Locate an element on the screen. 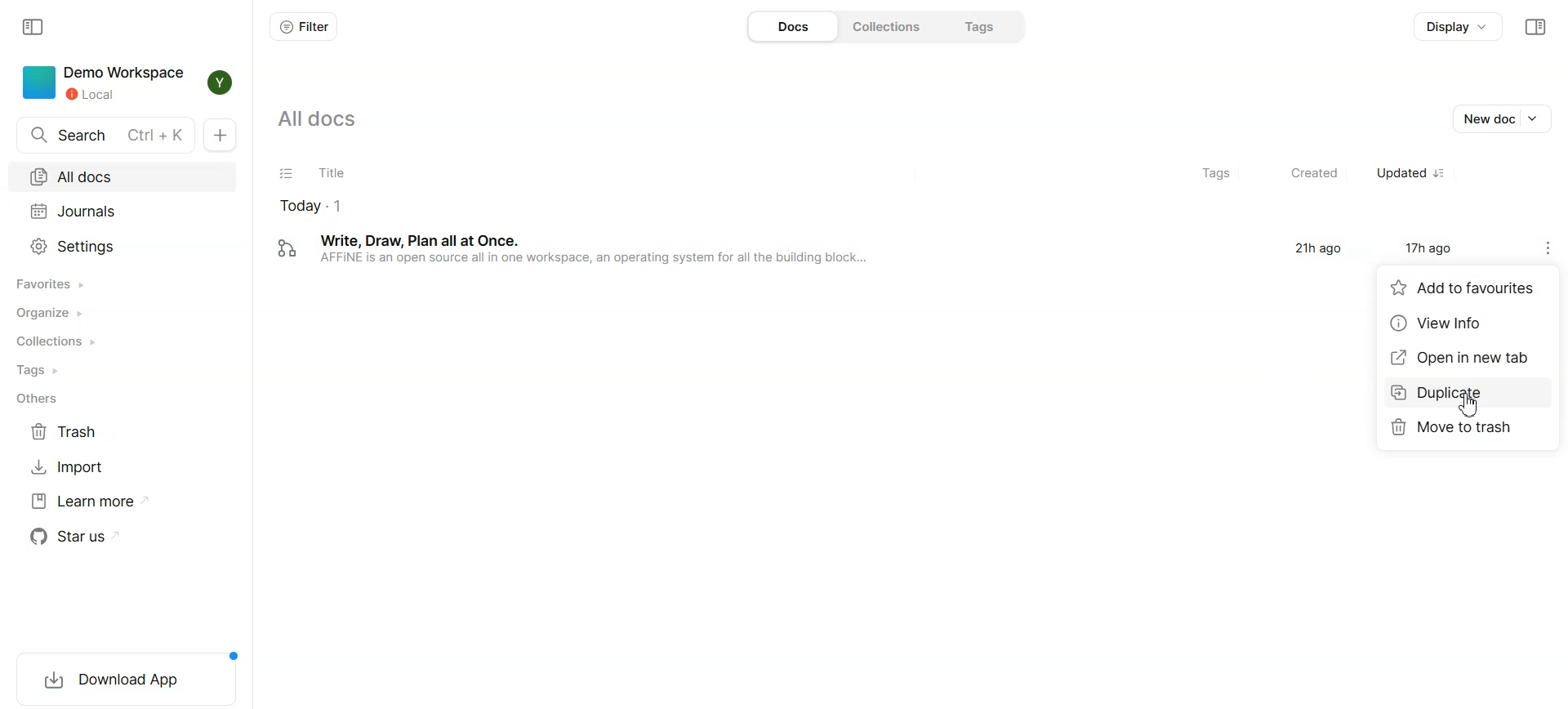 This screenshot has width=1568, height=709. Import is located at coordinates (124, 468).